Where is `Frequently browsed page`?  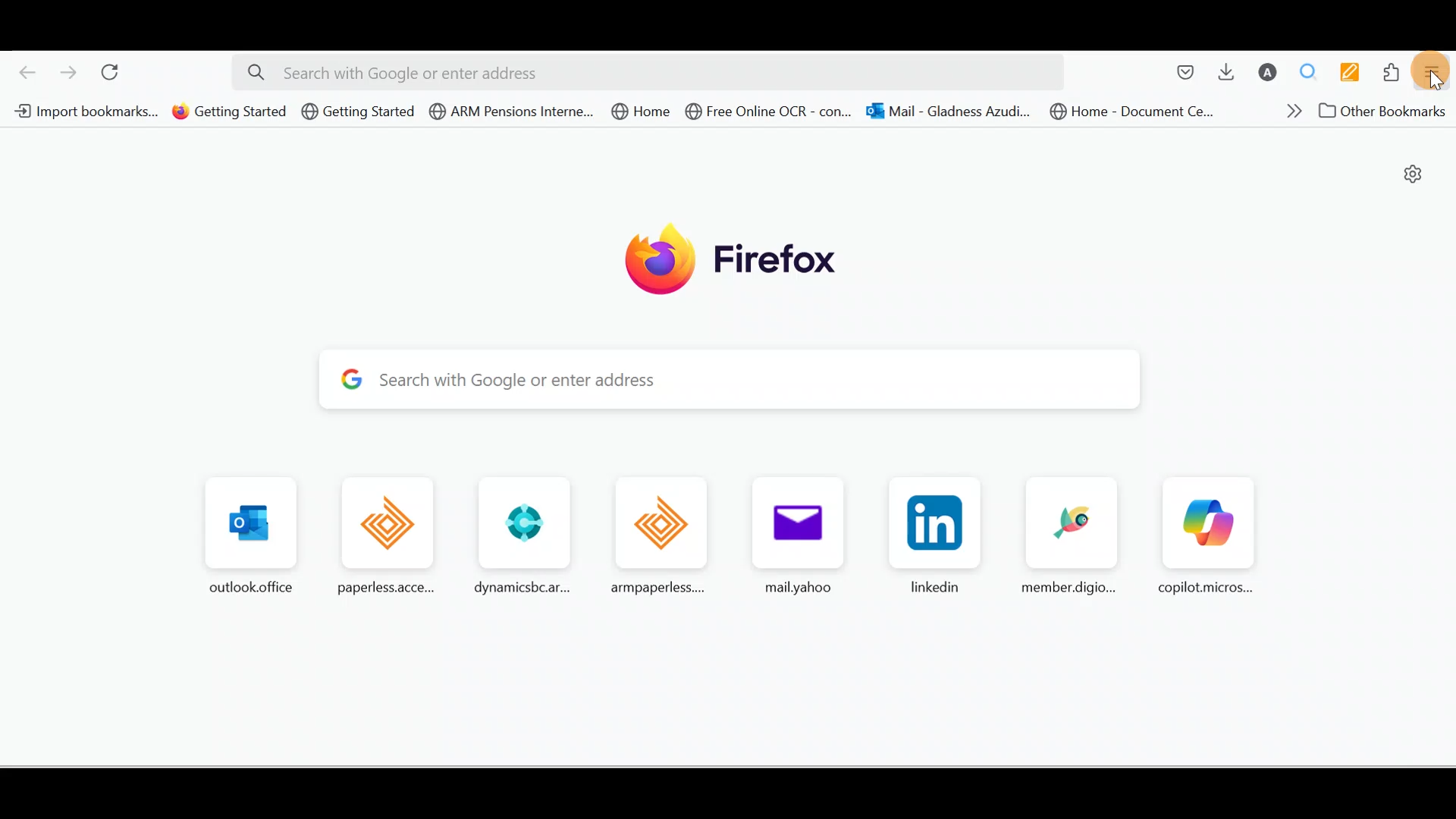 Frequently browsed page is located at coordinates (253, 530).